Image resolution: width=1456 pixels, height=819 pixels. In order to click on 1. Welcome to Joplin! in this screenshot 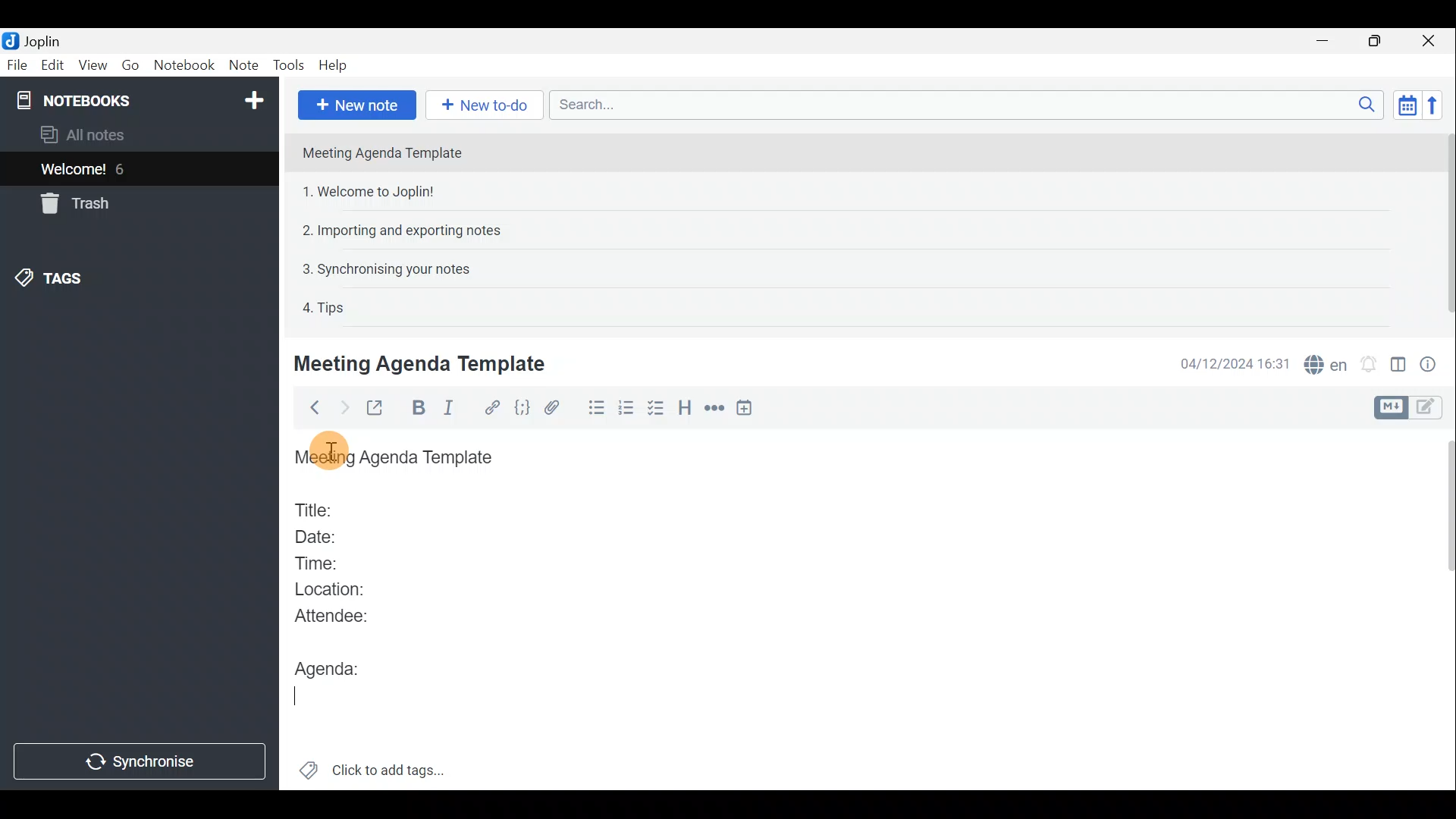, I will do `click(373, 191)`.